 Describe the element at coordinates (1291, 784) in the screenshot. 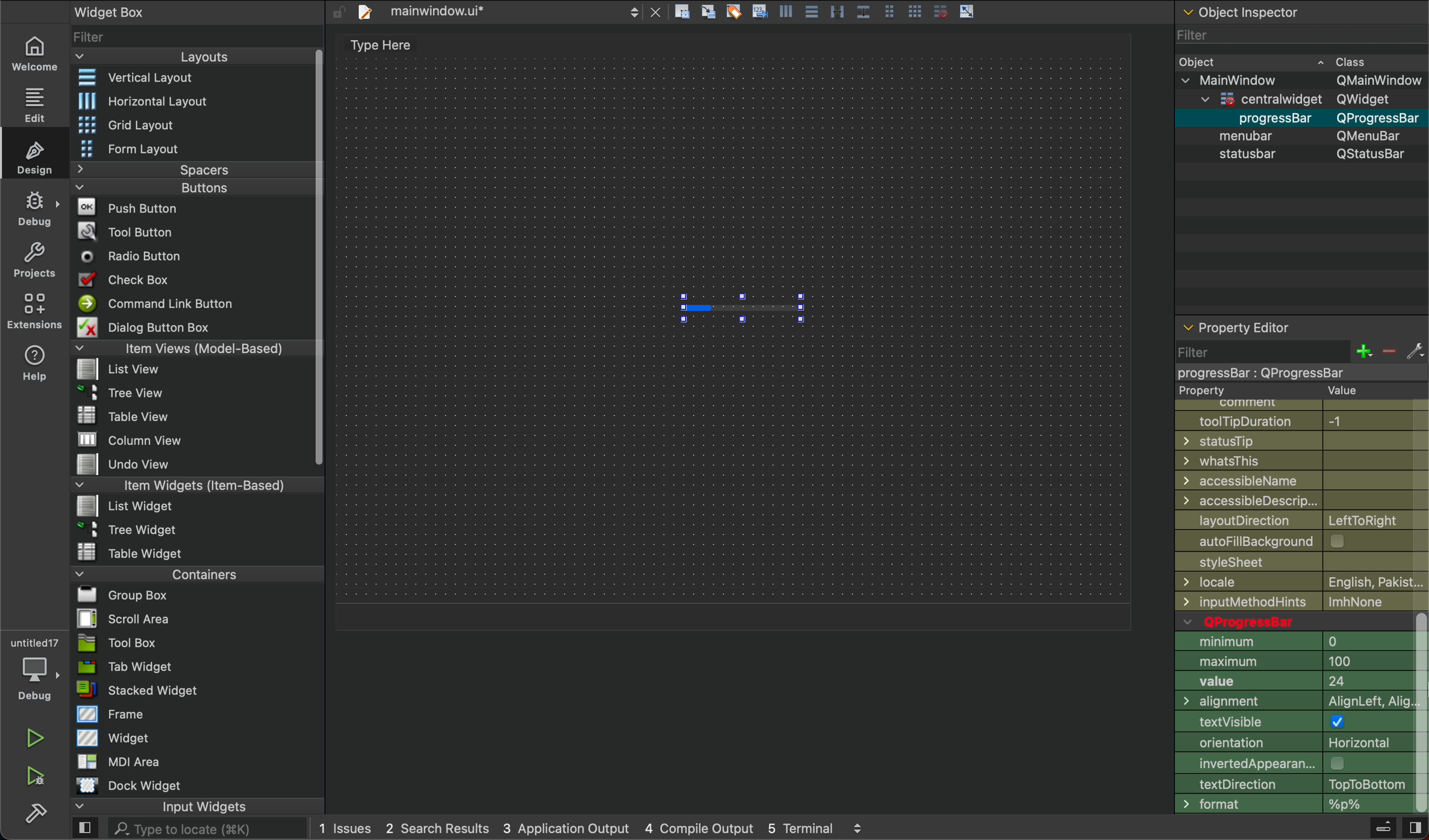

I see `Direction ` at that location.